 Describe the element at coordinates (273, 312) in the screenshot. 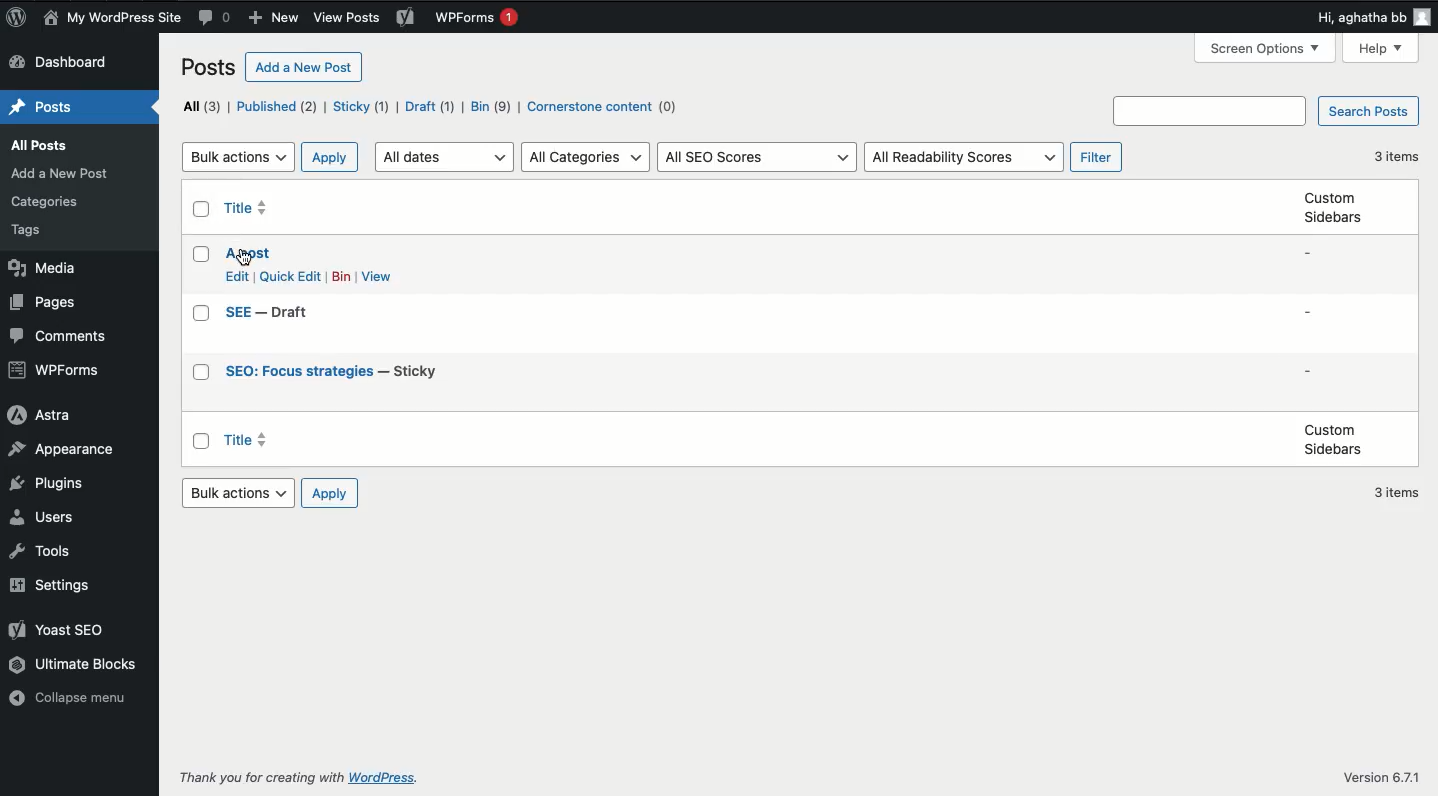

I see `see -- draft` at that location.